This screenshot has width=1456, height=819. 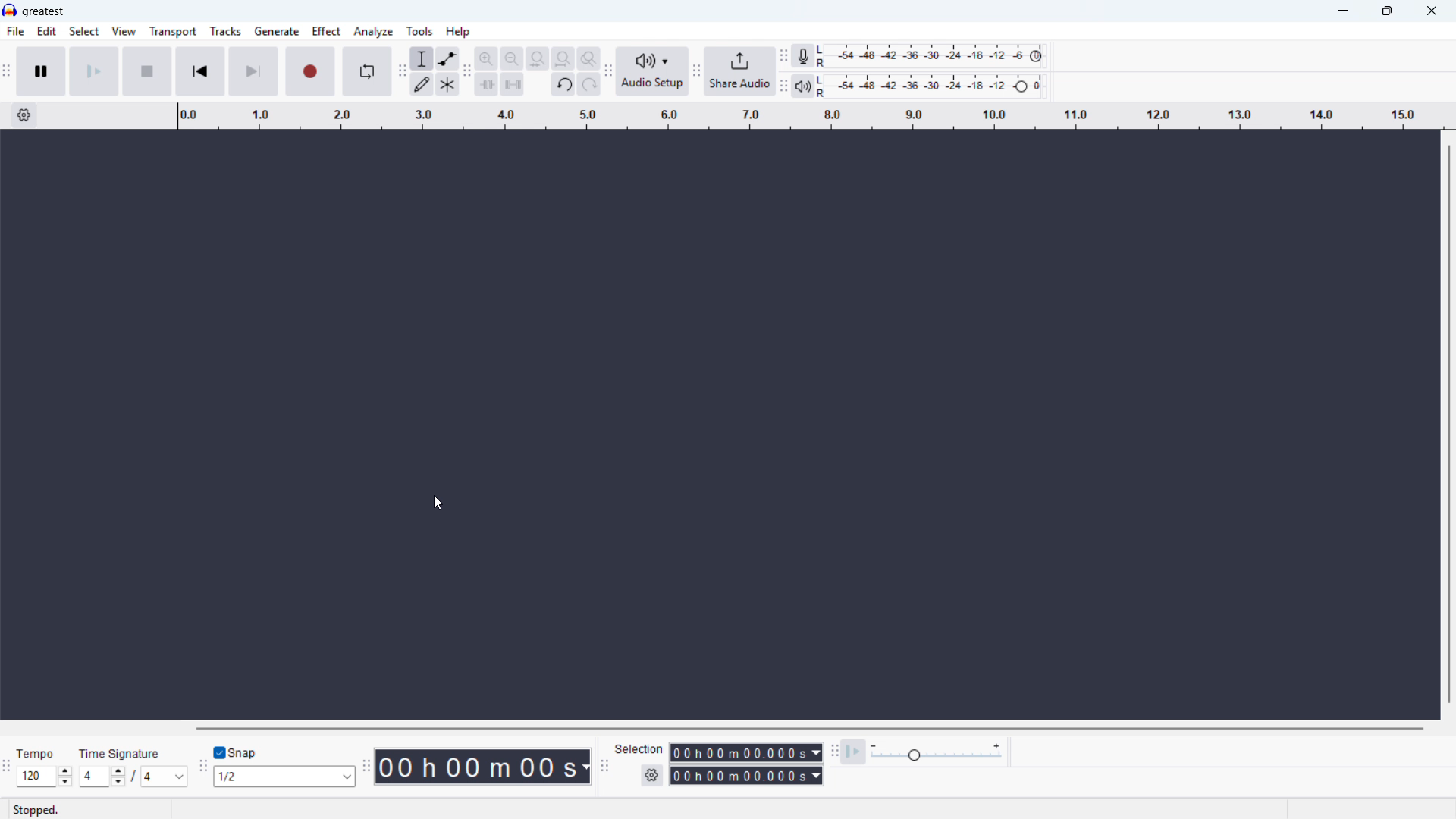 I want to click on Selection toolbar , so click(x=606, y=768).